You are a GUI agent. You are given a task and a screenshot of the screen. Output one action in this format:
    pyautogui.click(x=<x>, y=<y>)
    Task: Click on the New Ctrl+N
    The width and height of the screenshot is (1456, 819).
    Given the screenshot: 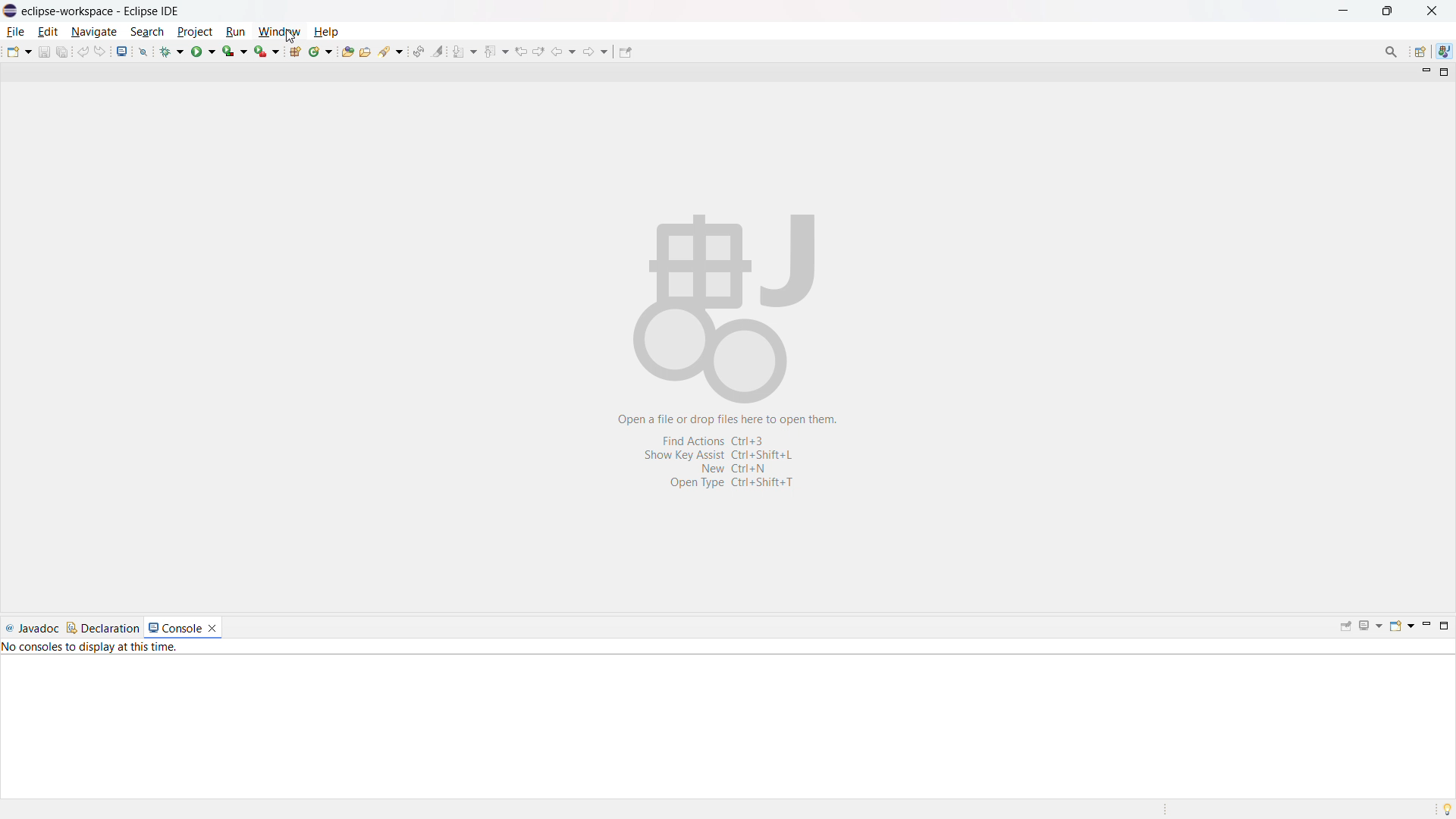 What is the action you would take?
    pyautogui.click(x=739, y=467)
    